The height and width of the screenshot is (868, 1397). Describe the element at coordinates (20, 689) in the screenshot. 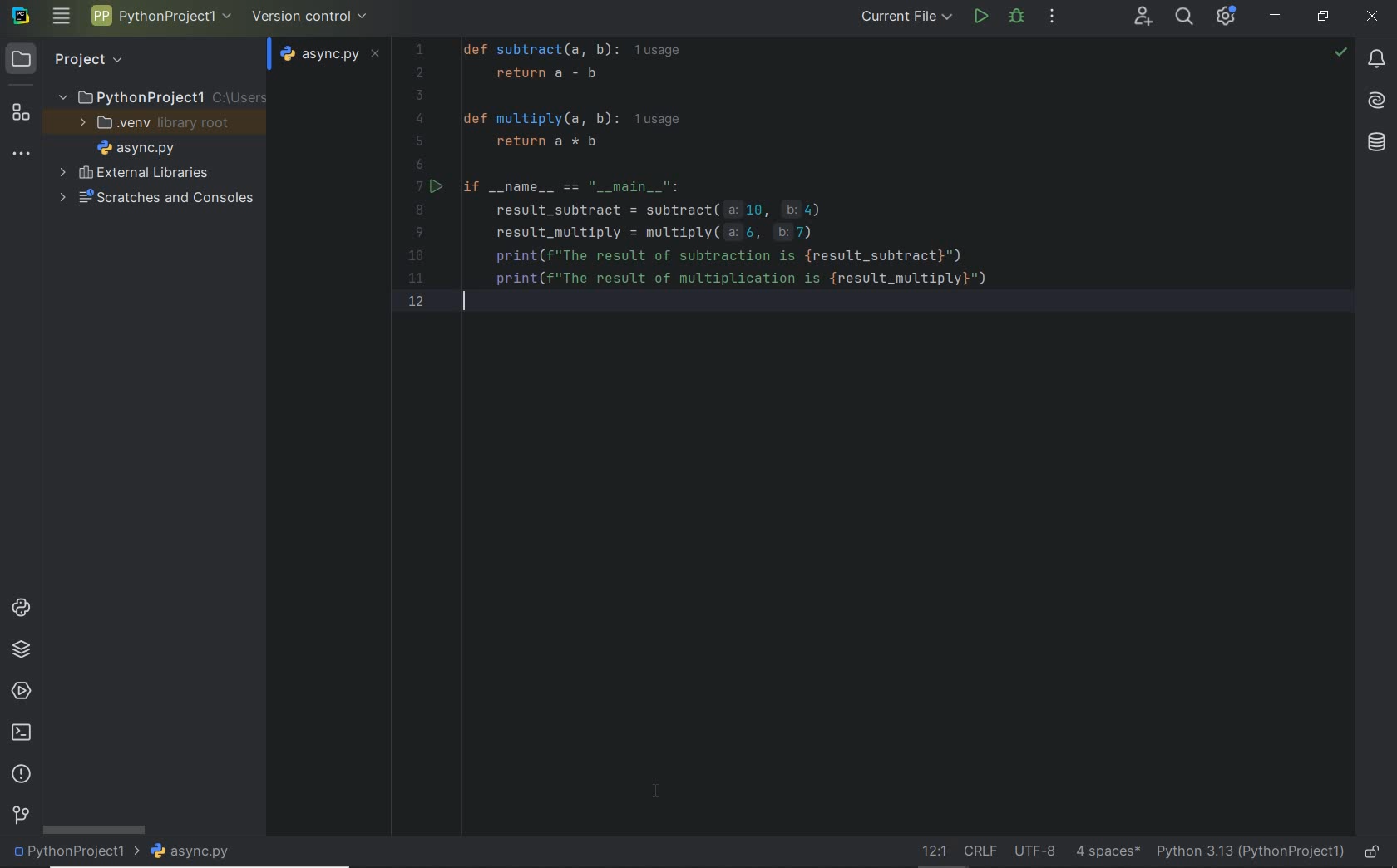

I see `services` at that location.